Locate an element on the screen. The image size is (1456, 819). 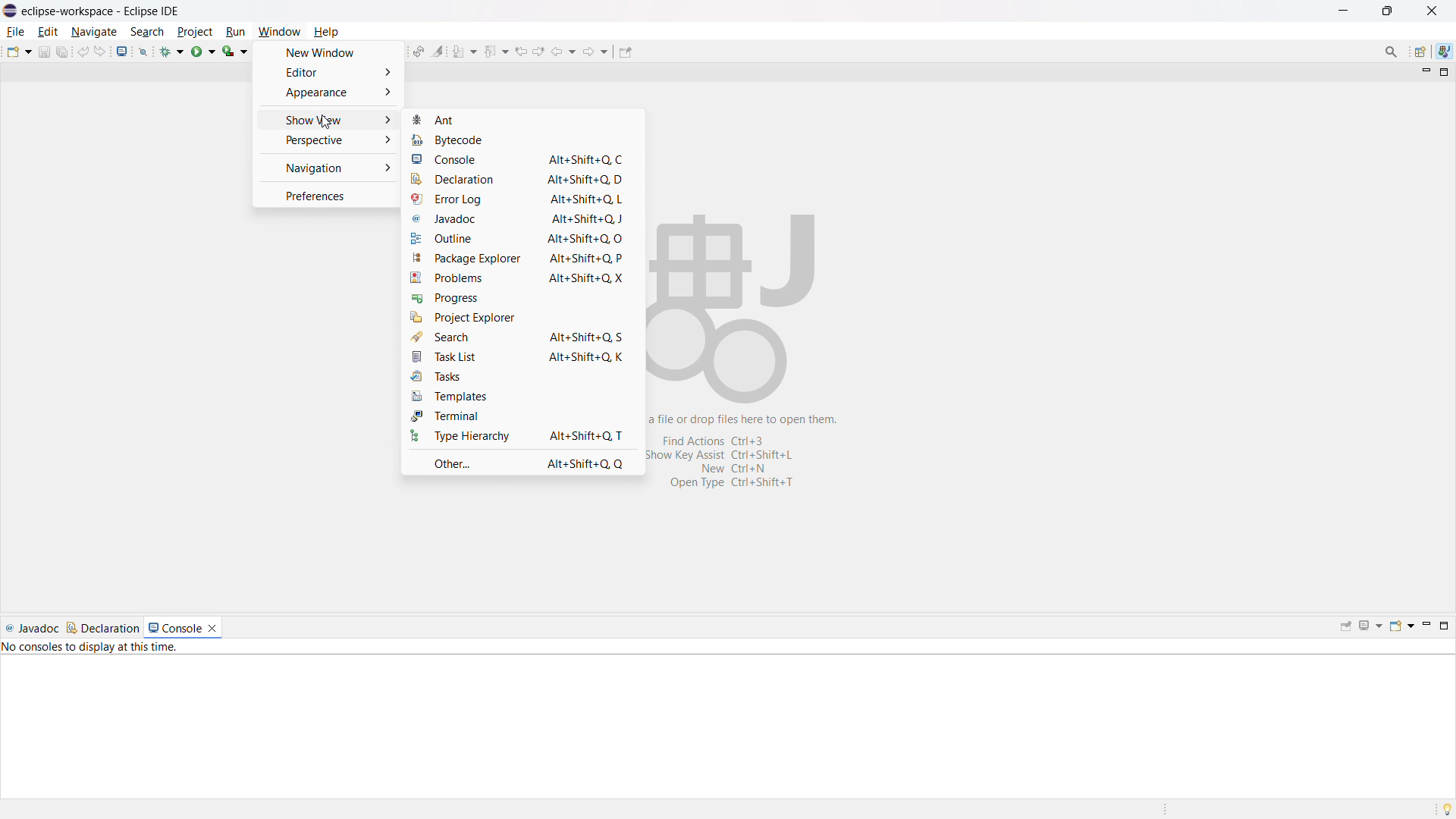
toggle ant mark occurances is located at coordinates (439, 50).